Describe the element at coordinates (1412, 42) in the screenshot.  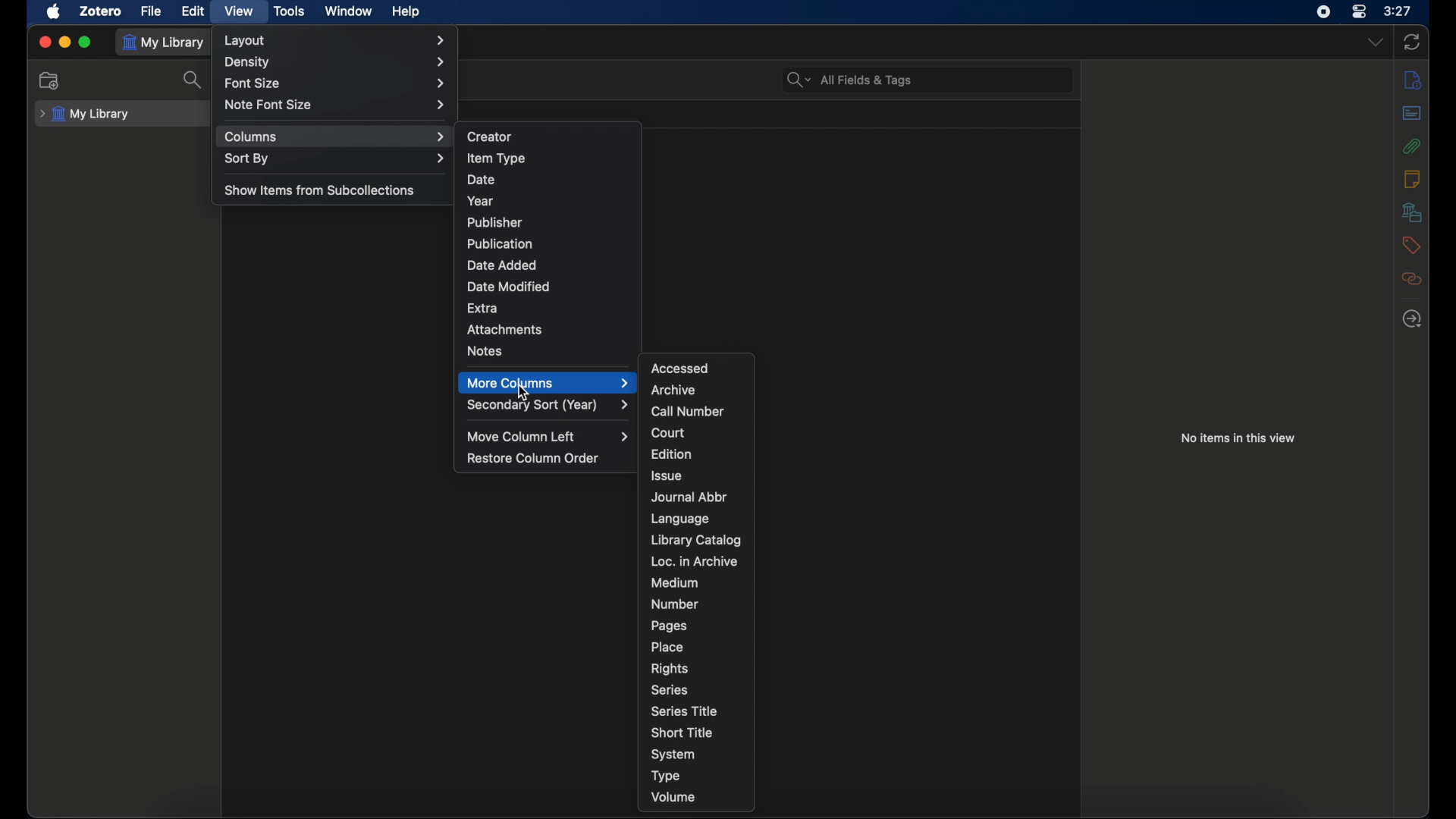
I see `sync` at that location.